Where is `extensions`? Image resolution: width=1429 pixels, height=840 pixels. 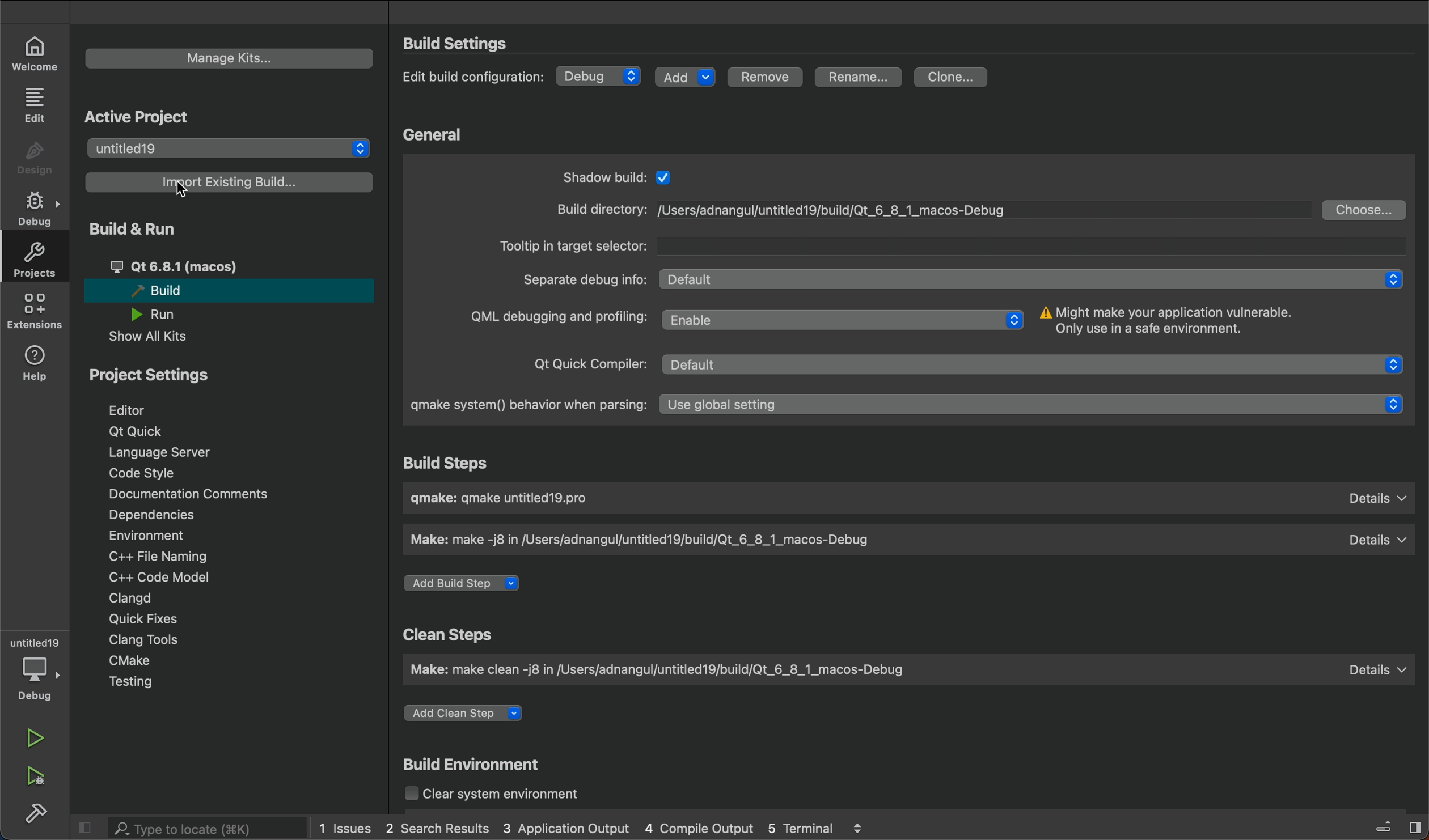
extensions is located at coordinates (34, 311).